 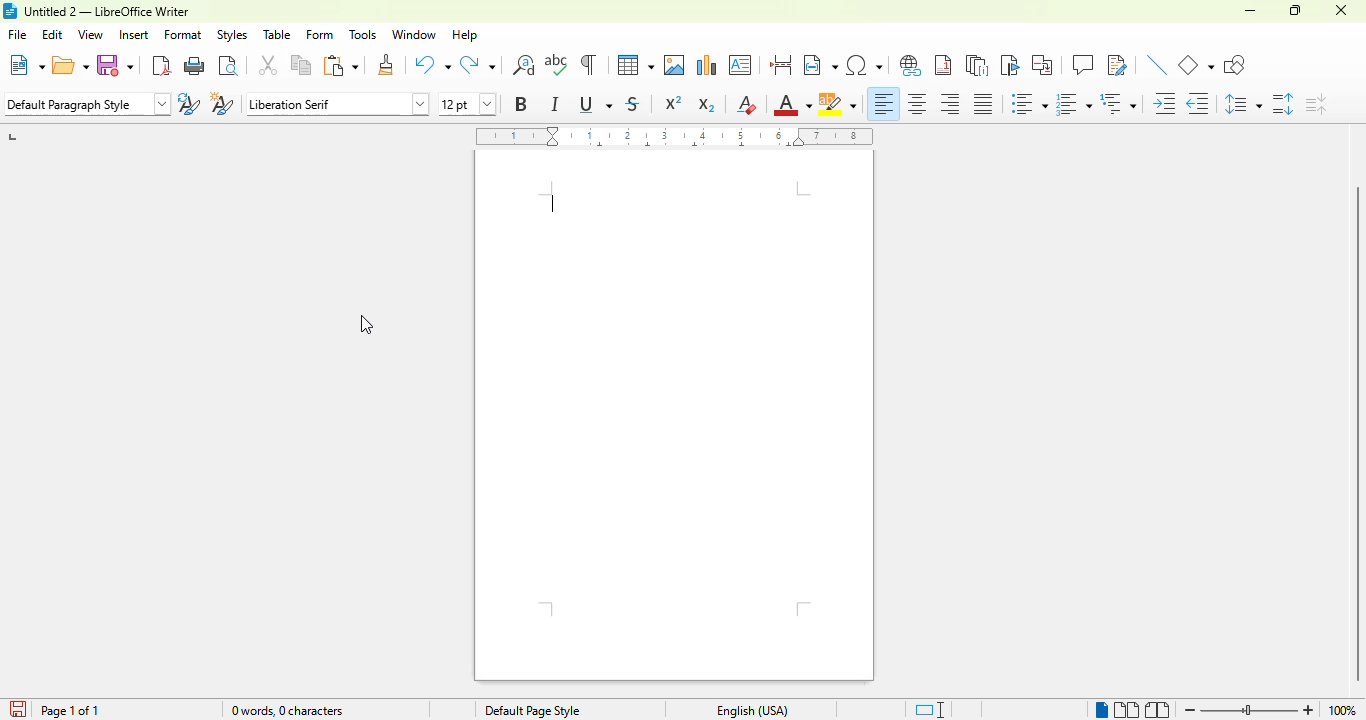 What do you see at coordinates (556, 103) in the screenshot?
I see `italic` at bounding box center [556, 103].